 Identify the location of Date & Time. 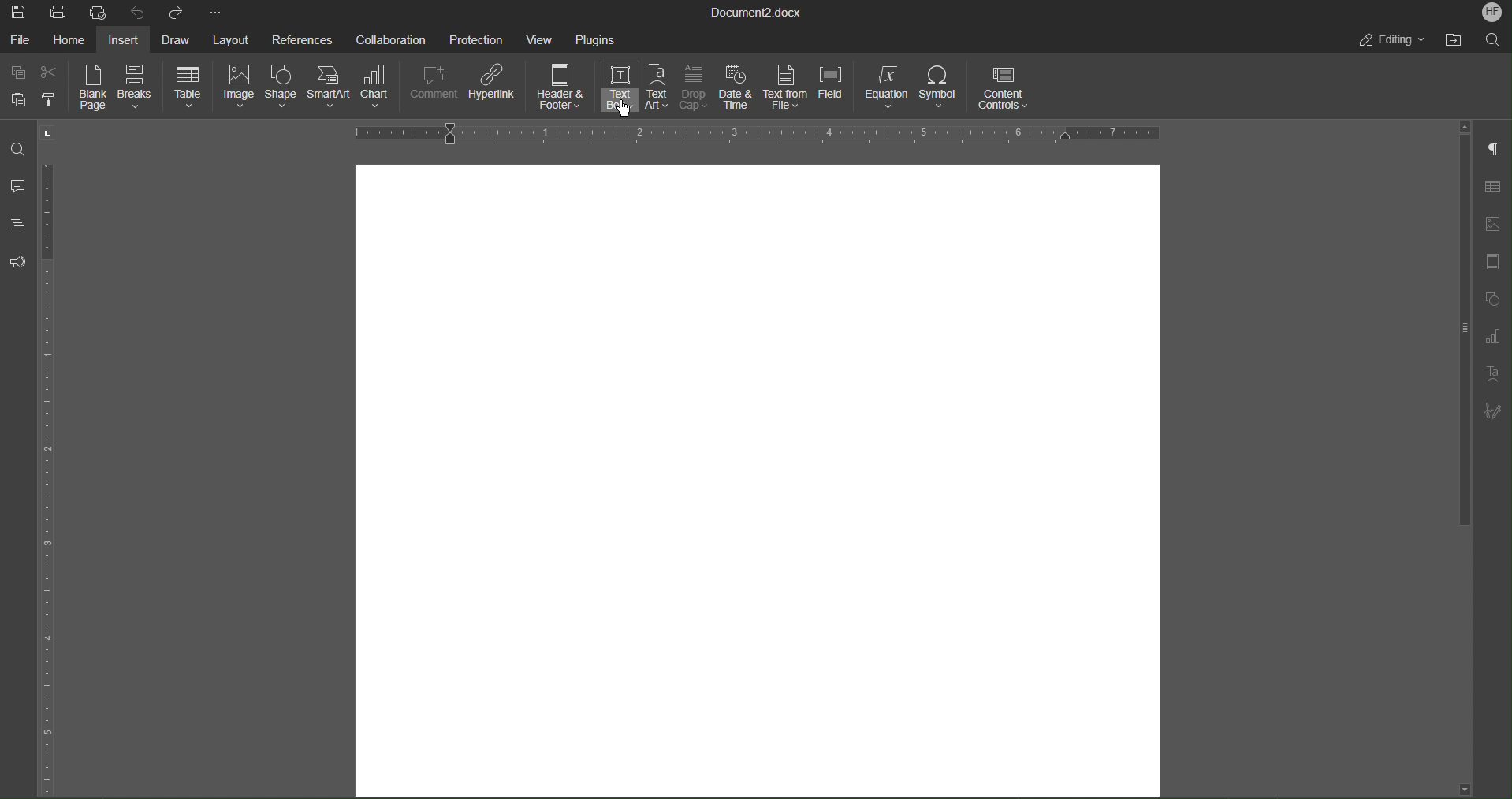
(736, 88).